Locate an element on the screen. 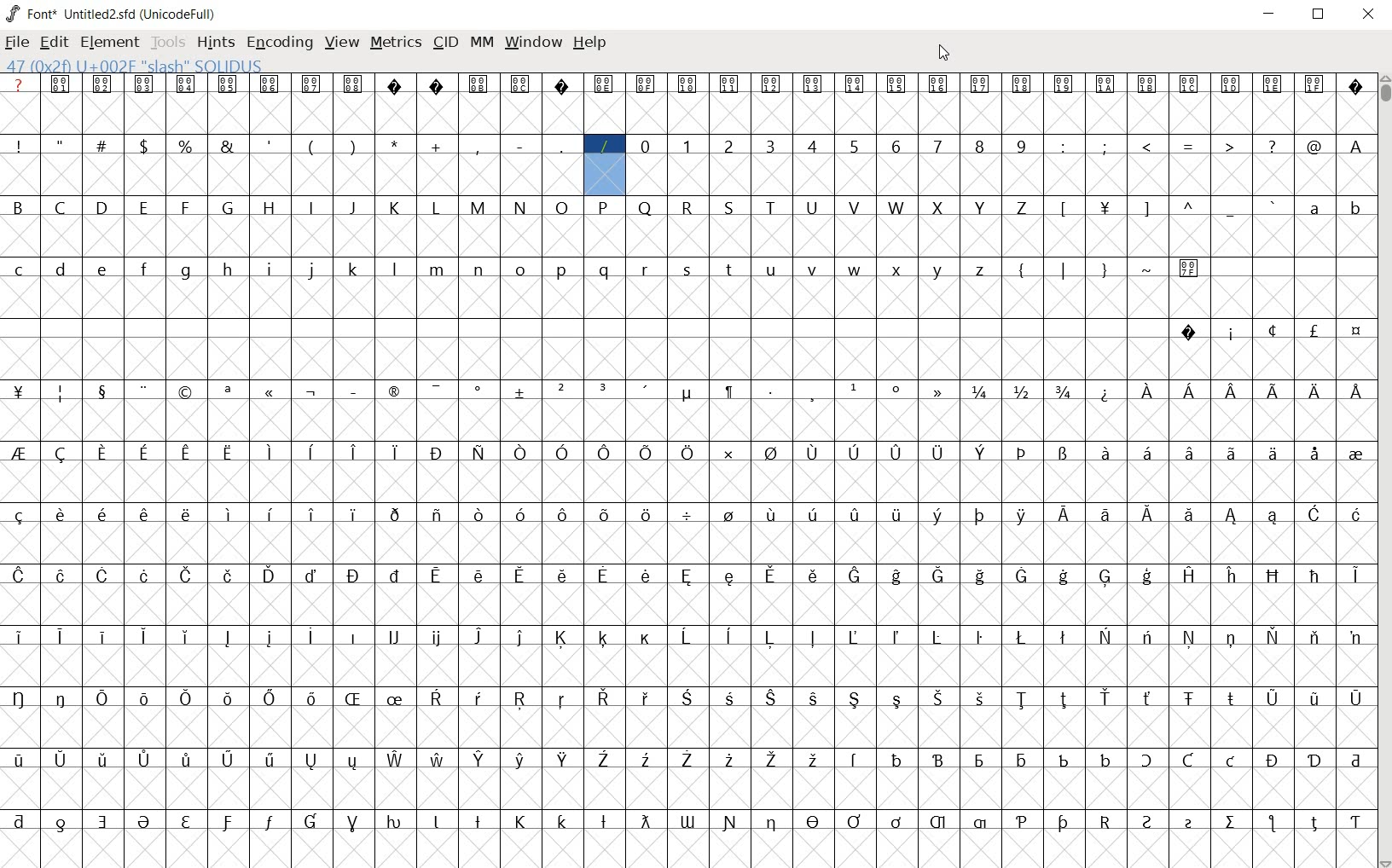 Image resolution: width=1392 pixels, height=868 pixels. glyph is located at coordinates (563, 390).